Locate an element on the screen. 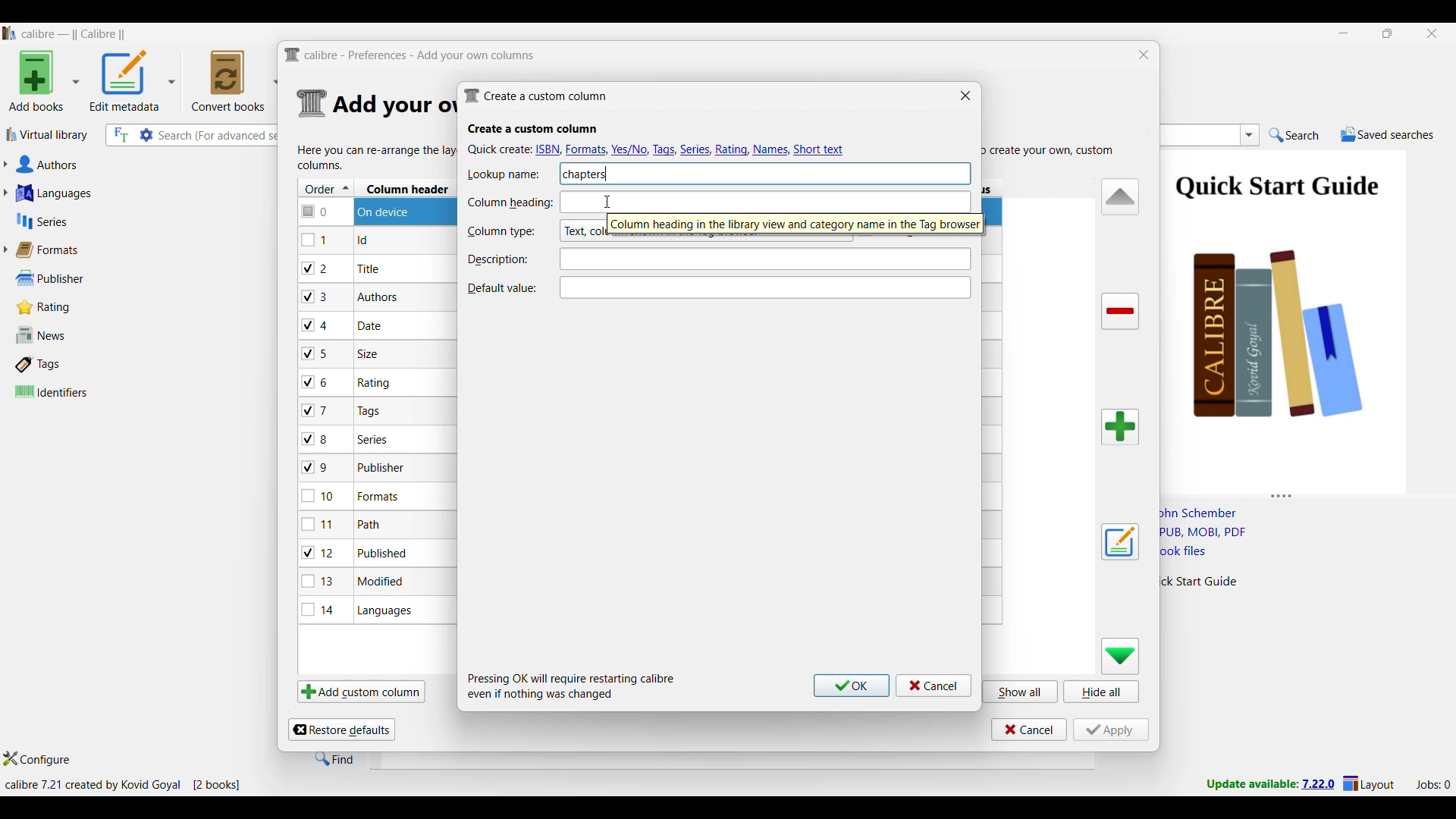  Languages is located at coordinates (115, 193).